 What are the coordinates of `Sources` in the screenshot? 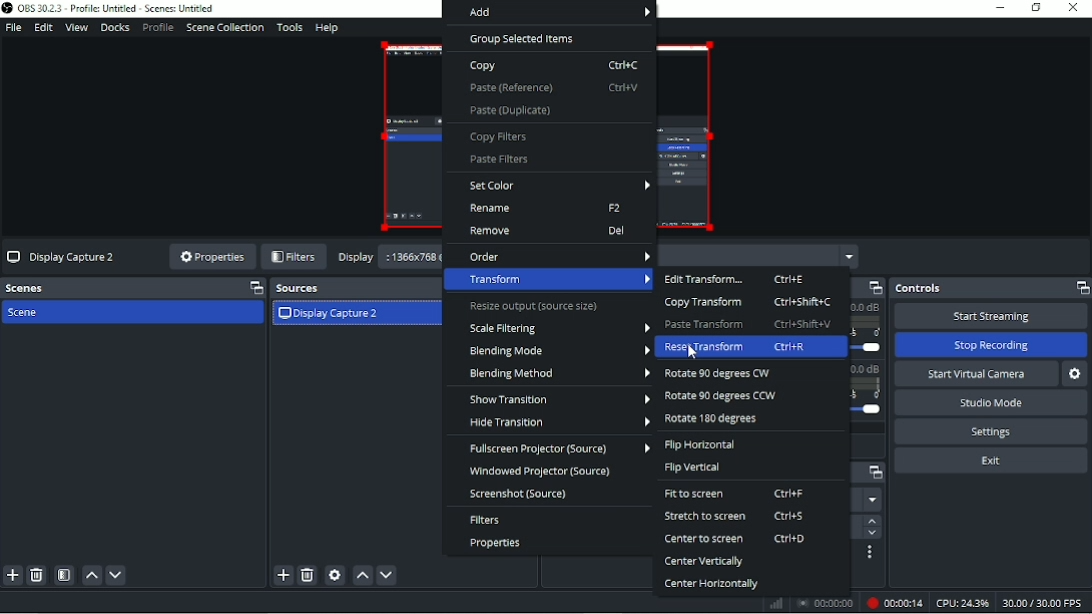 It's located at (351, 288).